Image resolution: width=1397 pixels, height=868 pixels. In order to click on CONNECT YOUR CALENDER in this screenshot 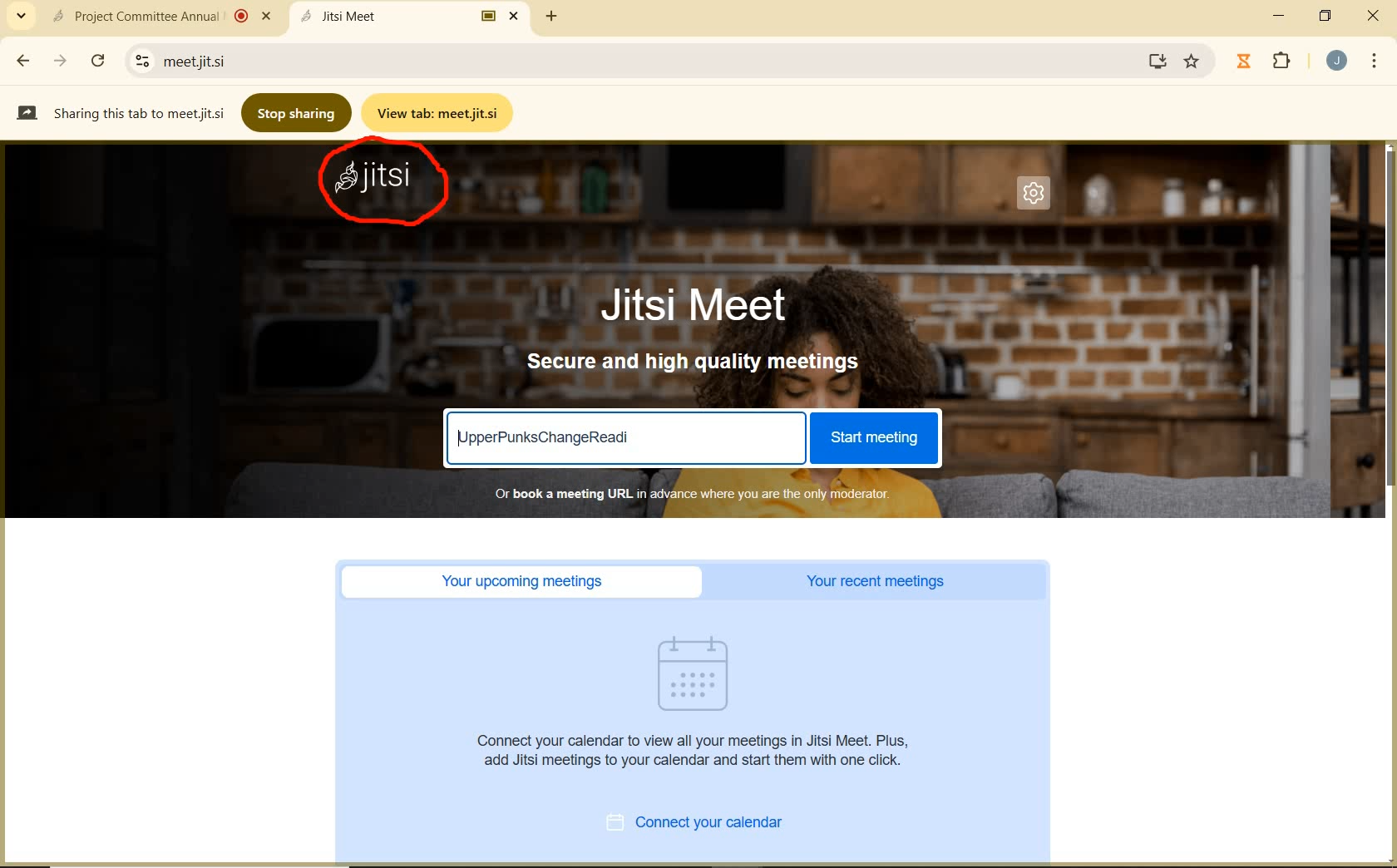, I will do `click(713, 825)`.